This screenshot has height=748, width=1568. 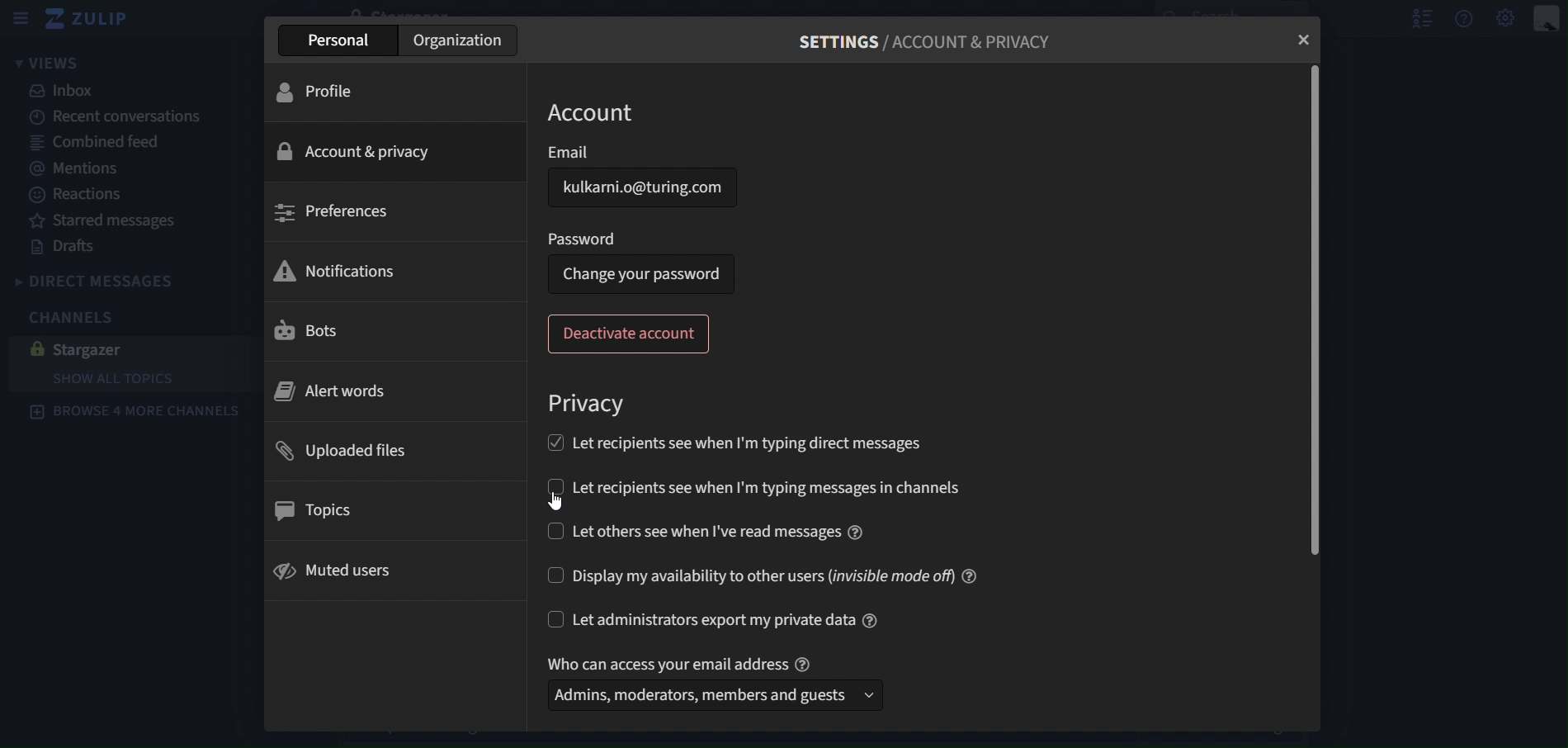 What do you see at coordinates (588, 240) in the screenshot?
I see `password` at bounding box center [588, 240].